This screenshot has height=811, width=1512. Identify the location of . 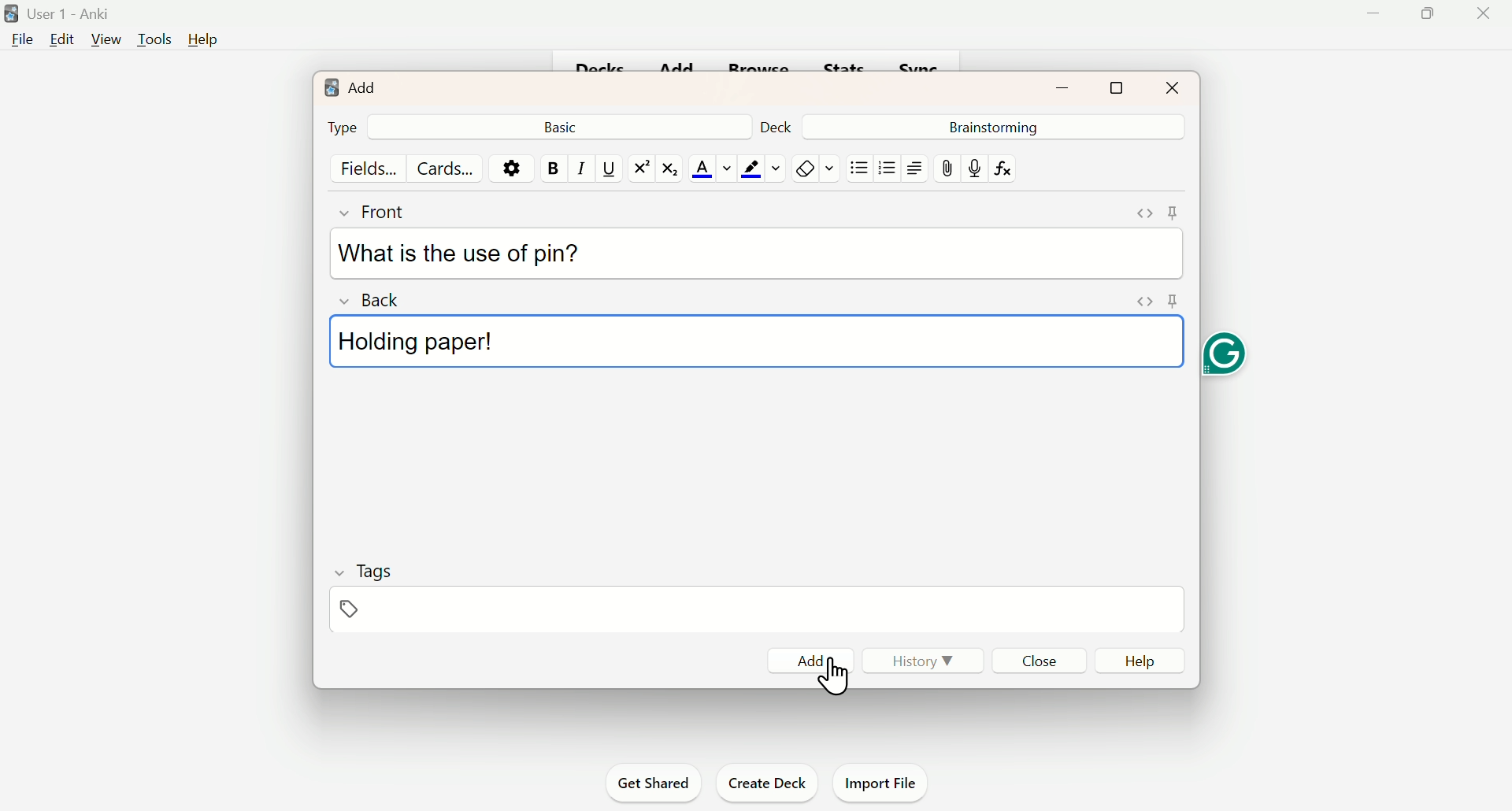
(207, 39).